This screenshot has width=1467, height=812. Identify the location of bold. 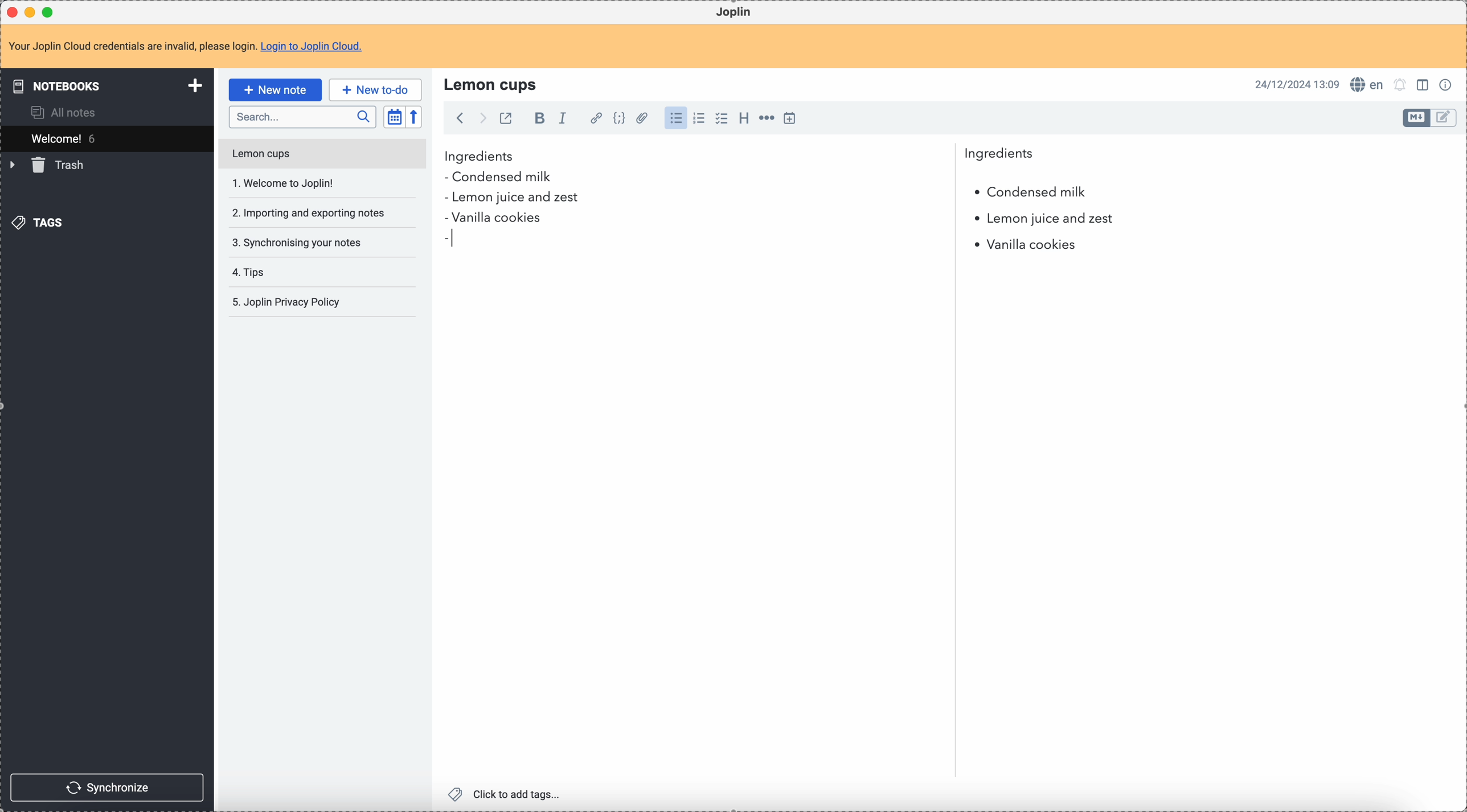
(536, 119).